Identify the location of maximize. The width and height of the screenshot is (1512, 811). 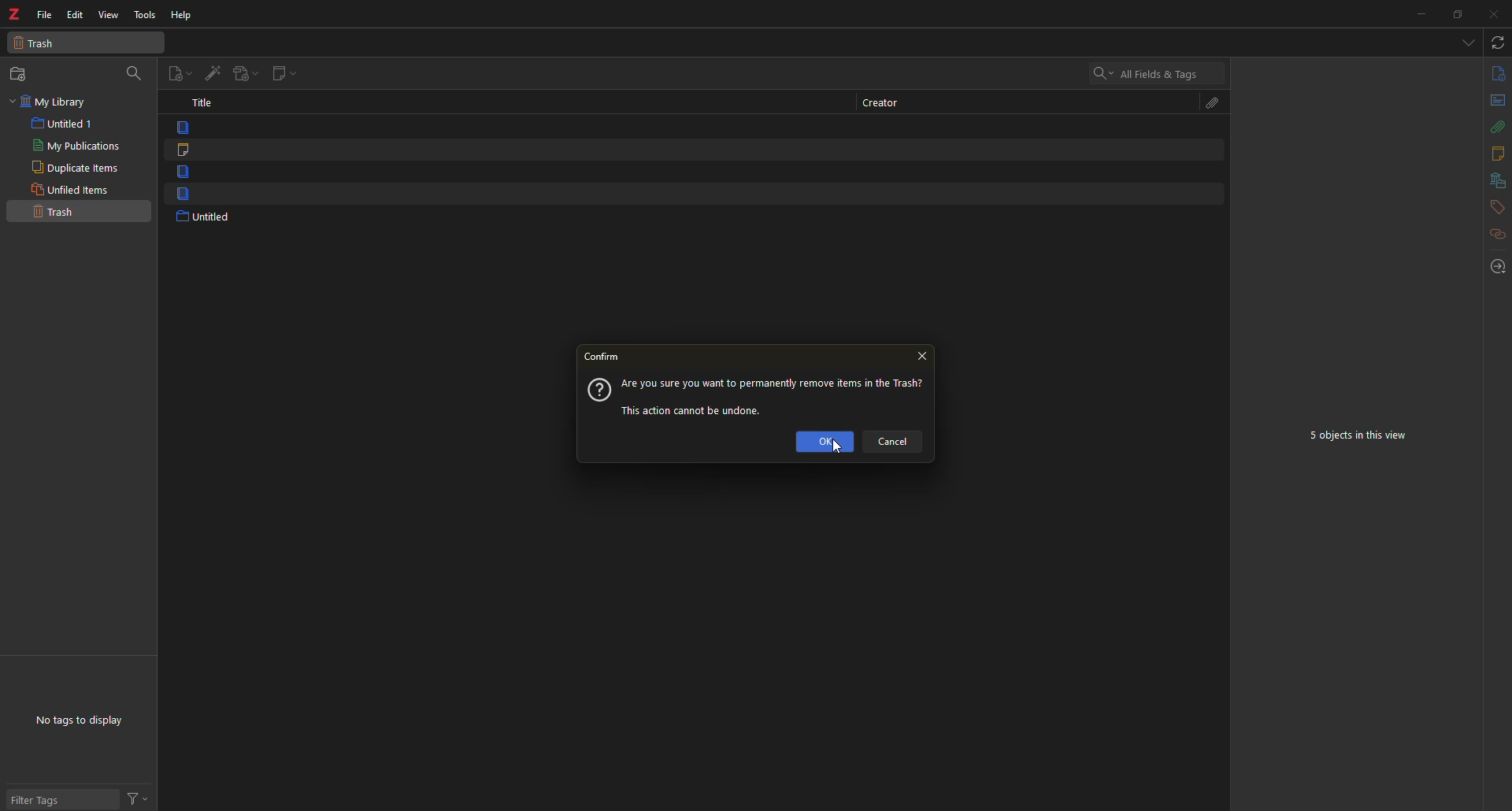
(1458, 15).